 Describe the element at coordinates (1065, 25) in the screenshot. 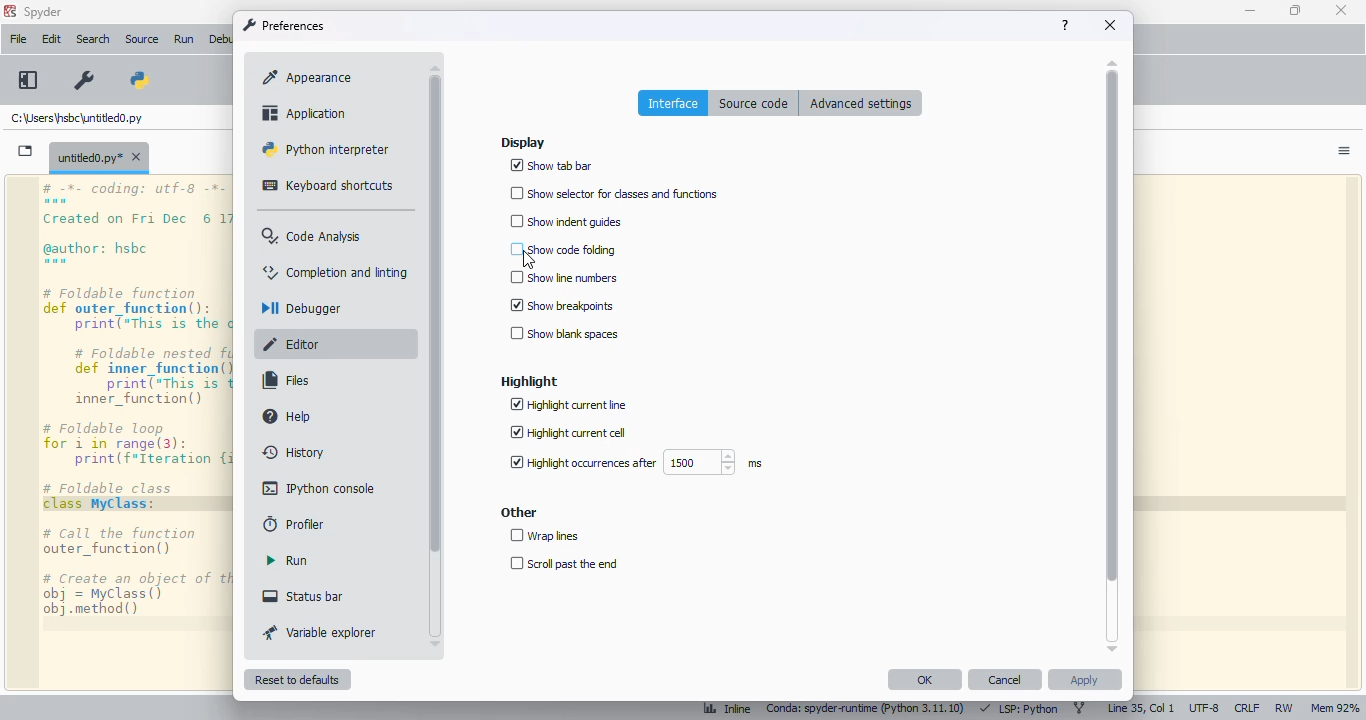

I see `help` at that location.